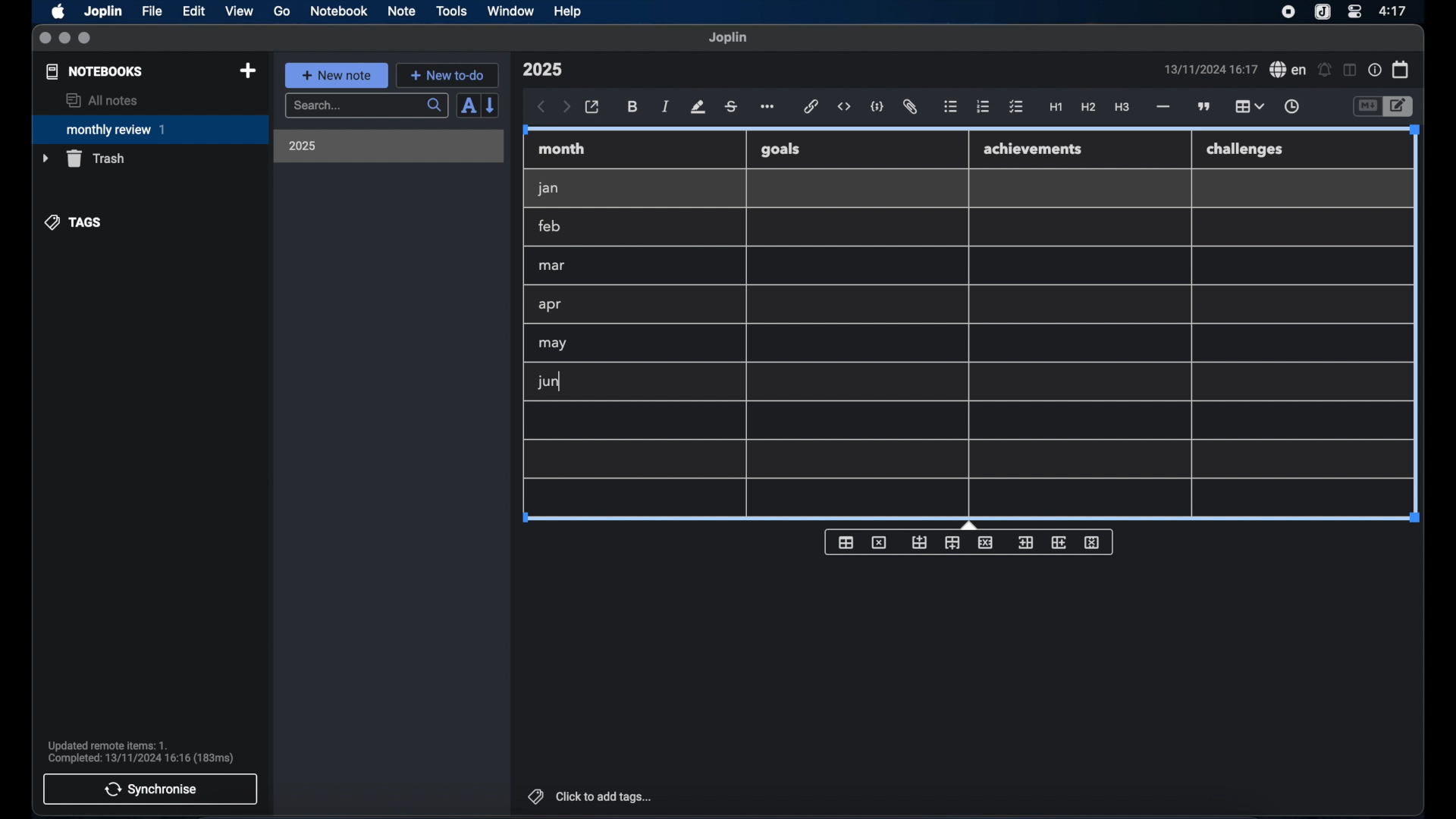  What do you see at coordinates (1325, 71) in the screenshot?
I see `set alarm` at bounding box center [1325, 71].